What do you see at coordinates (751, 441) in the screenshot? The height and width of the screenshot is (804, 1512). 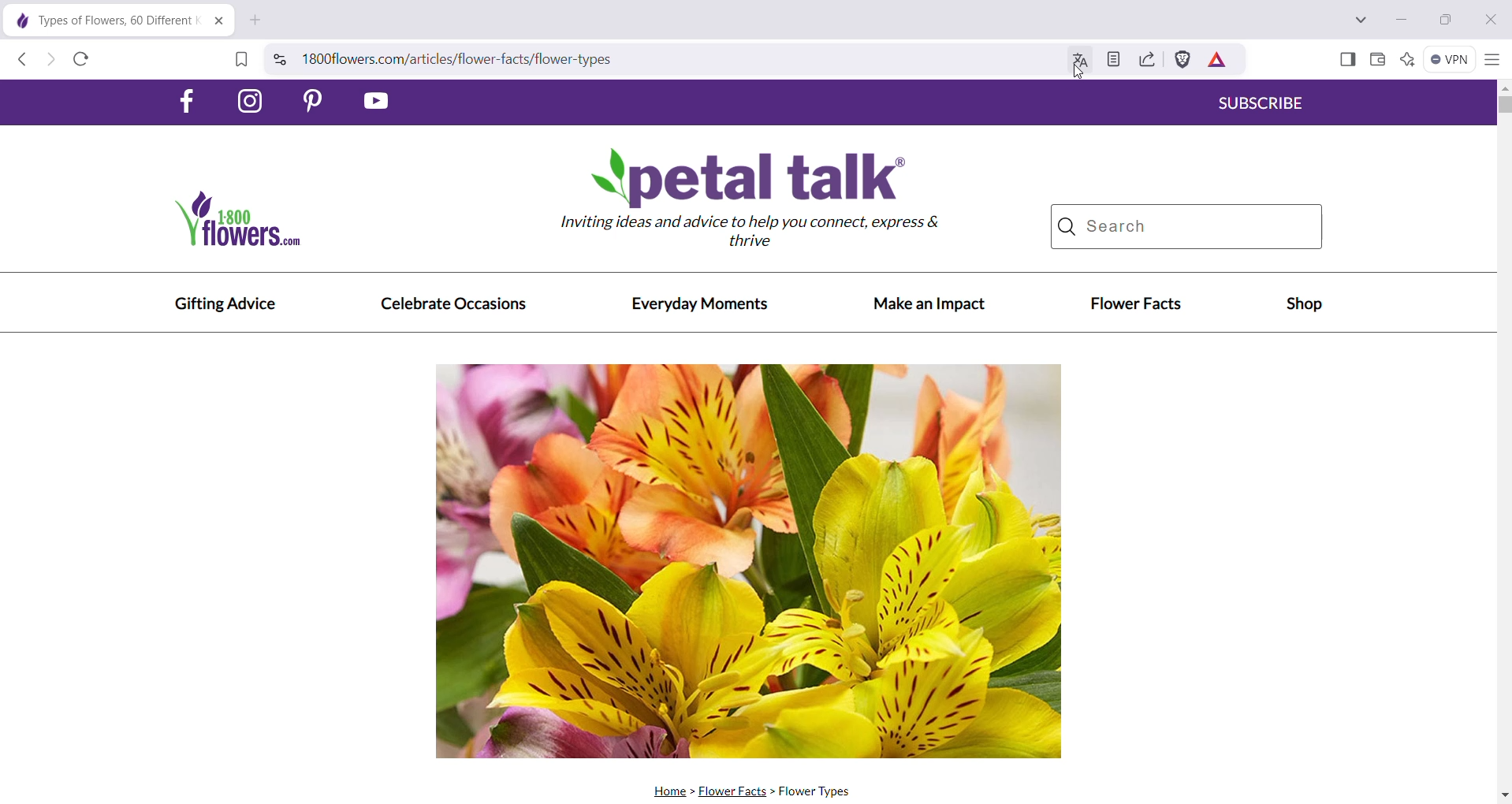 I see `Current Webpage` at bounding box center [751, 441].